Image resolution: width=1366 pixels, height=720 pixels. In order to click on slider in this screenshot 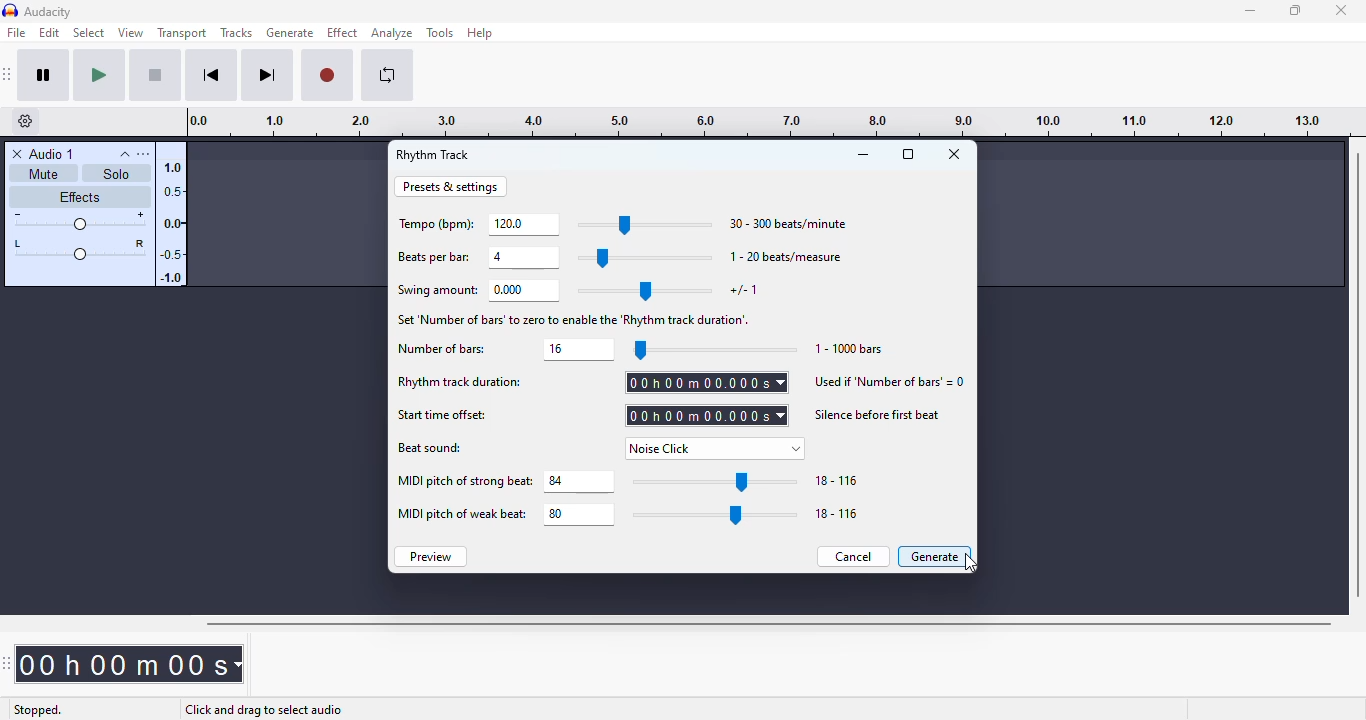, I will do `click(646, 291)`.